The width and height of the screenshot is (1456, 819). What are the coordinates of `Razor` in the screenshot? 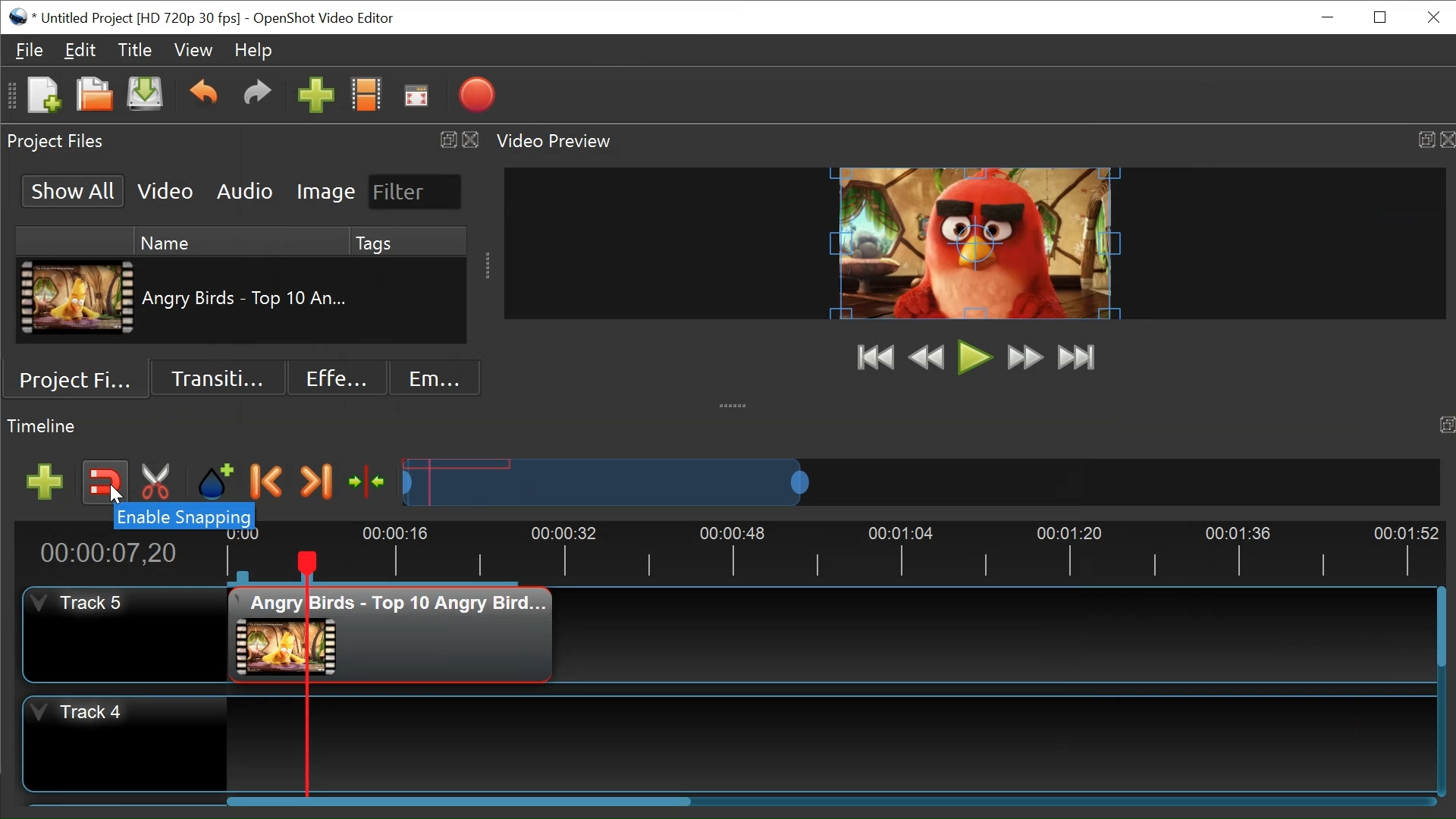 It's located at (154, 483).